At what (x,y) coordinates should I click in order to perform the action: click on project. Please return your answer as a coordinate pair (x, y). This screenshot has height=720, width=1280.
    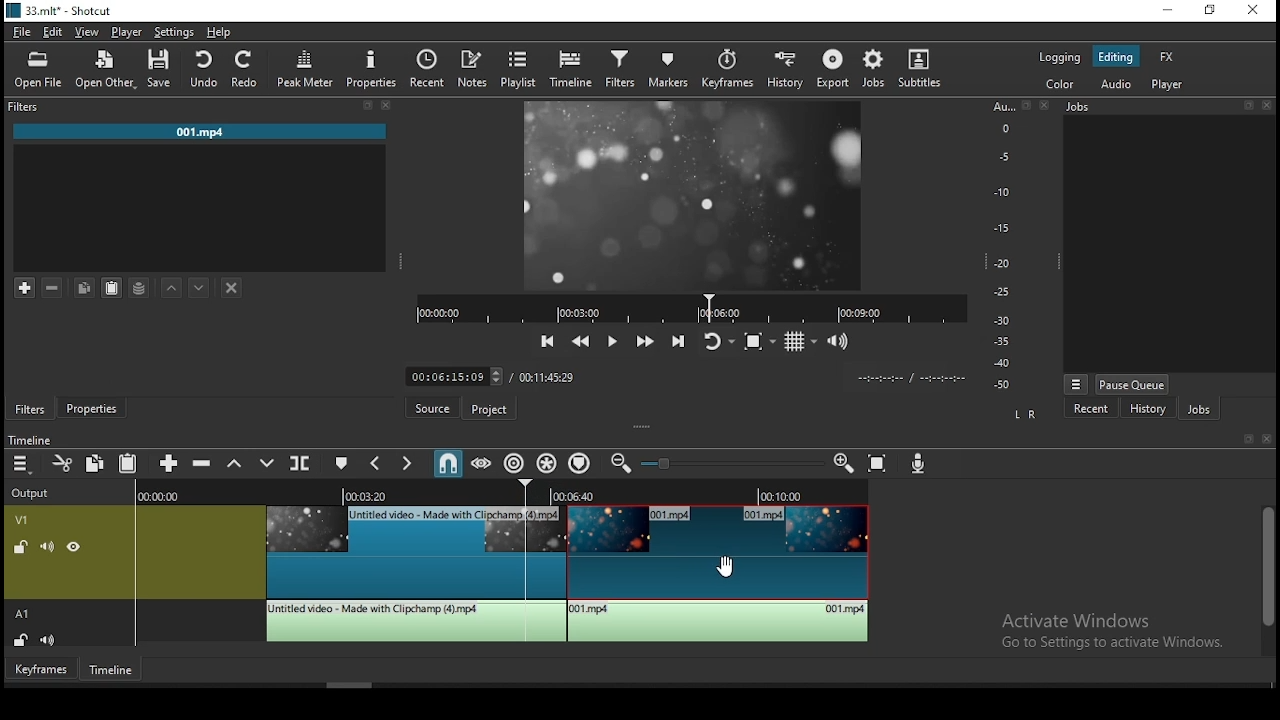
    Looking at the image, I should click on (486, 410).